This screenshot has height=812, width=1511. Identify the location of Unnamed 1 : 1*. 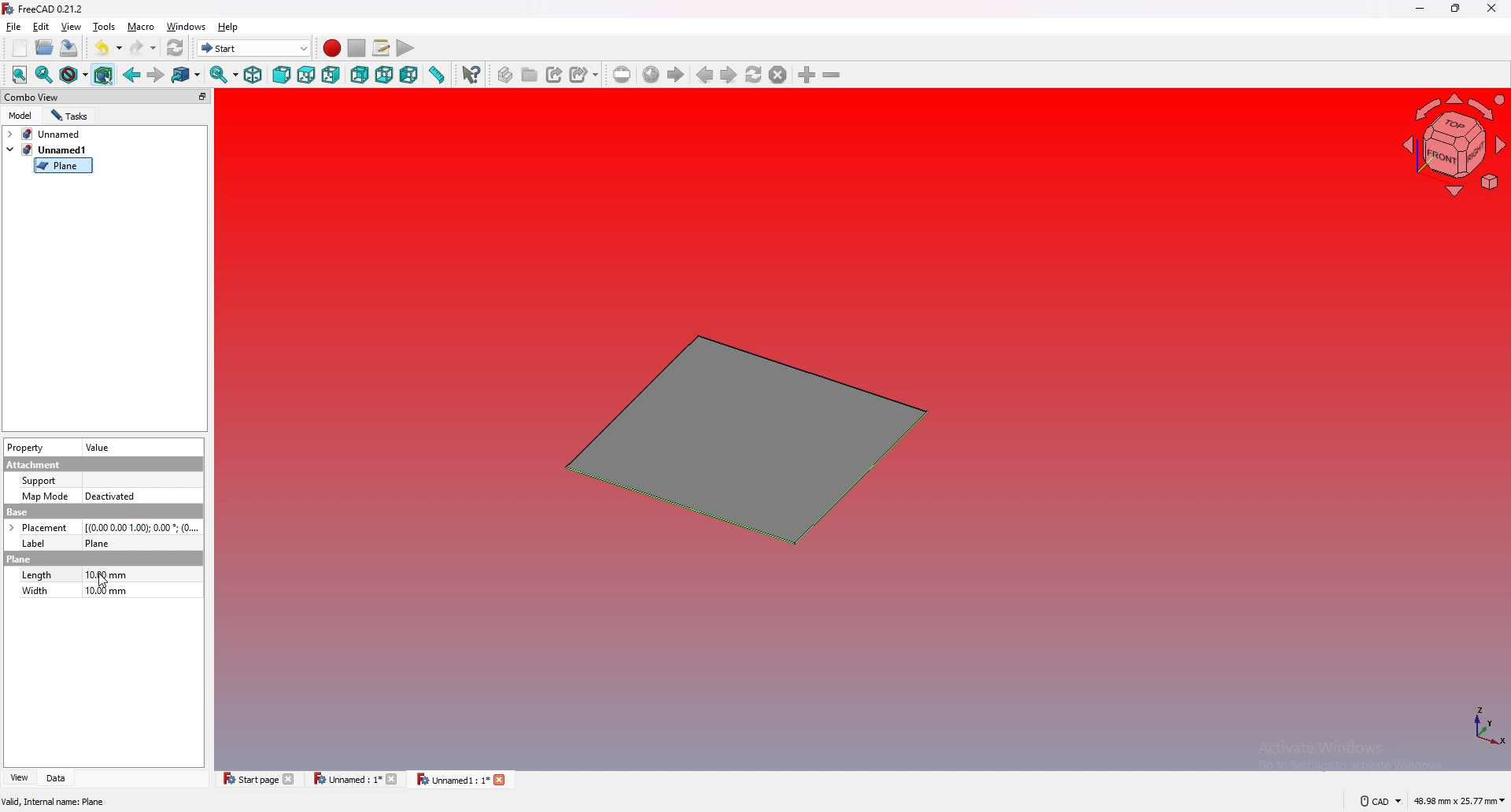
(461, 781).